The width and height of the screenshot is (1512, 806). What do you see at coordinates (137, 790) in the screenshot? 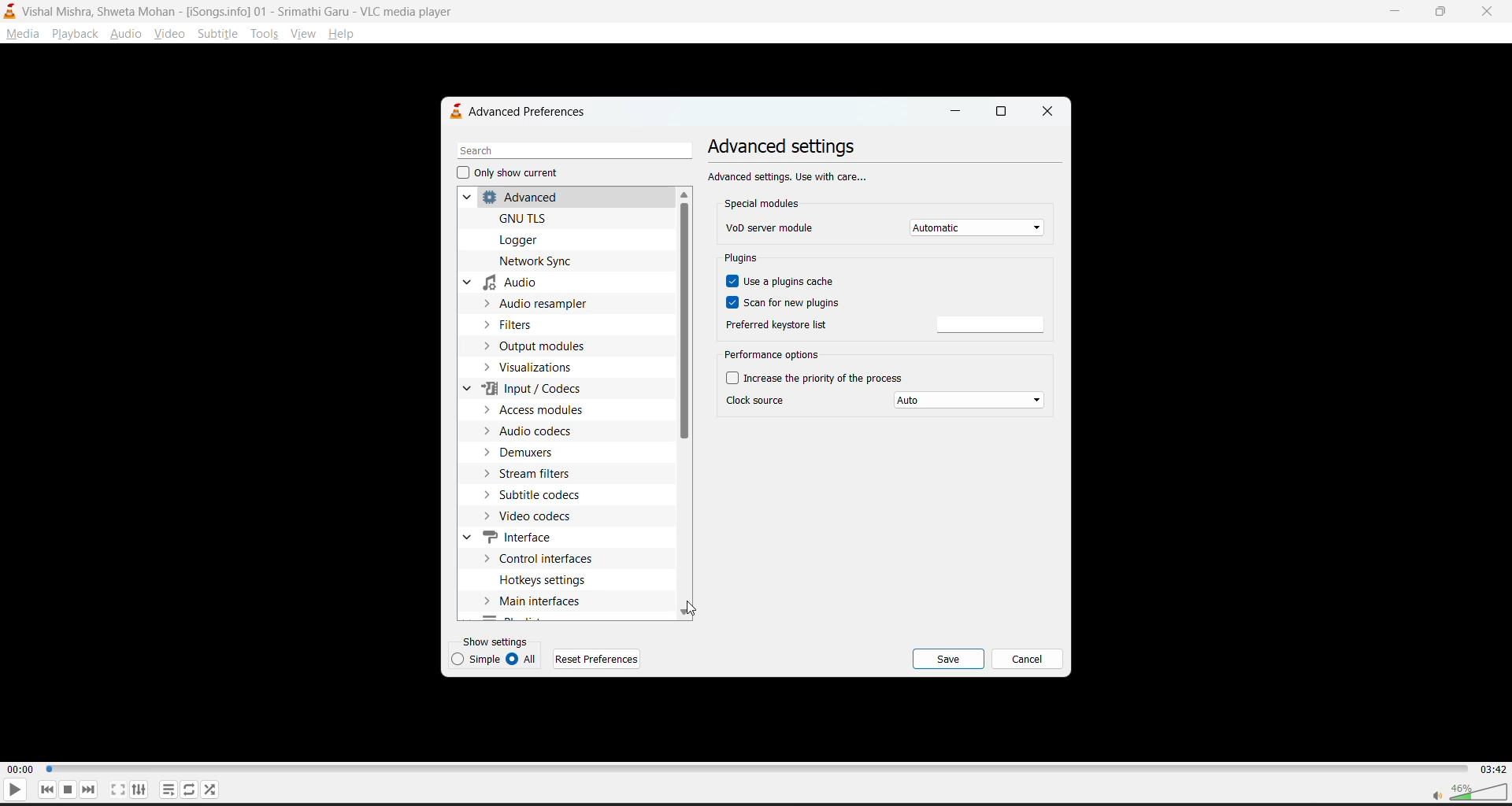
I see `settings` at bounding box center [137, 790].